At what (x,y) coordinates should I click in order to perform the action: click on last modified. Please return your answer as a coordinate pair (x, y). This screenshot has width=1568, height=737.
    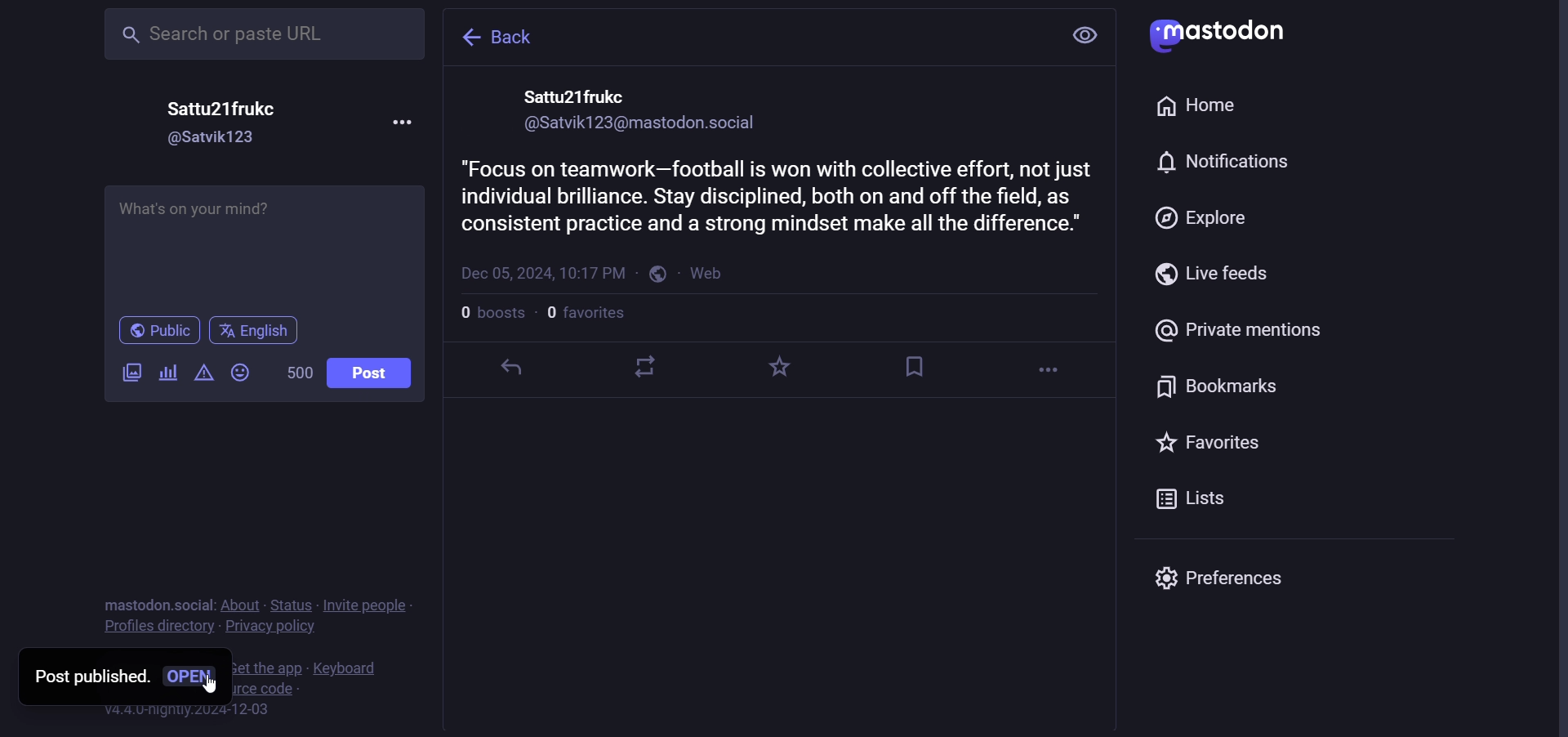
    Looking at the image, I should click on (537, 275).